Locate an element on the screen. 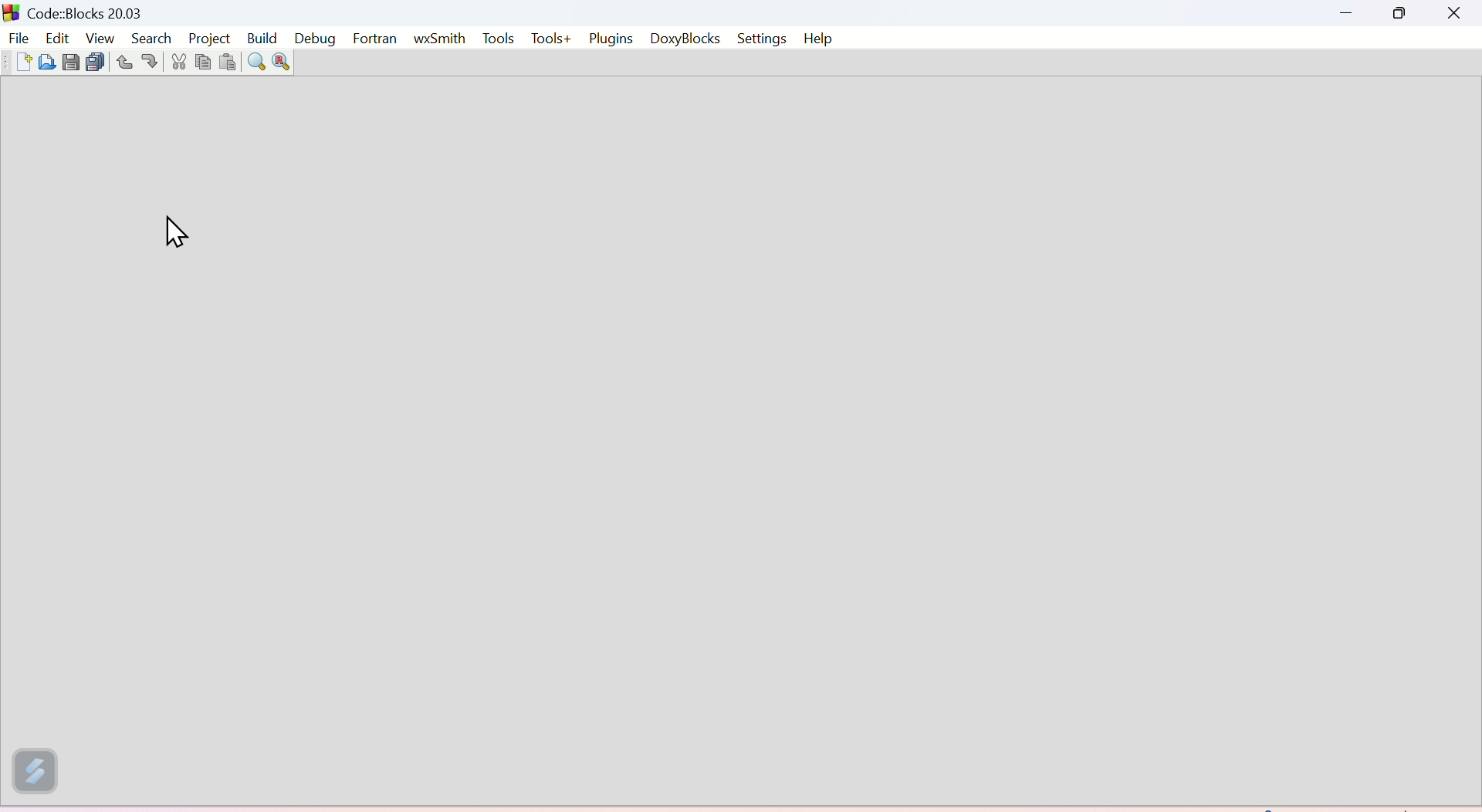   is located at coordinates (121, 64).